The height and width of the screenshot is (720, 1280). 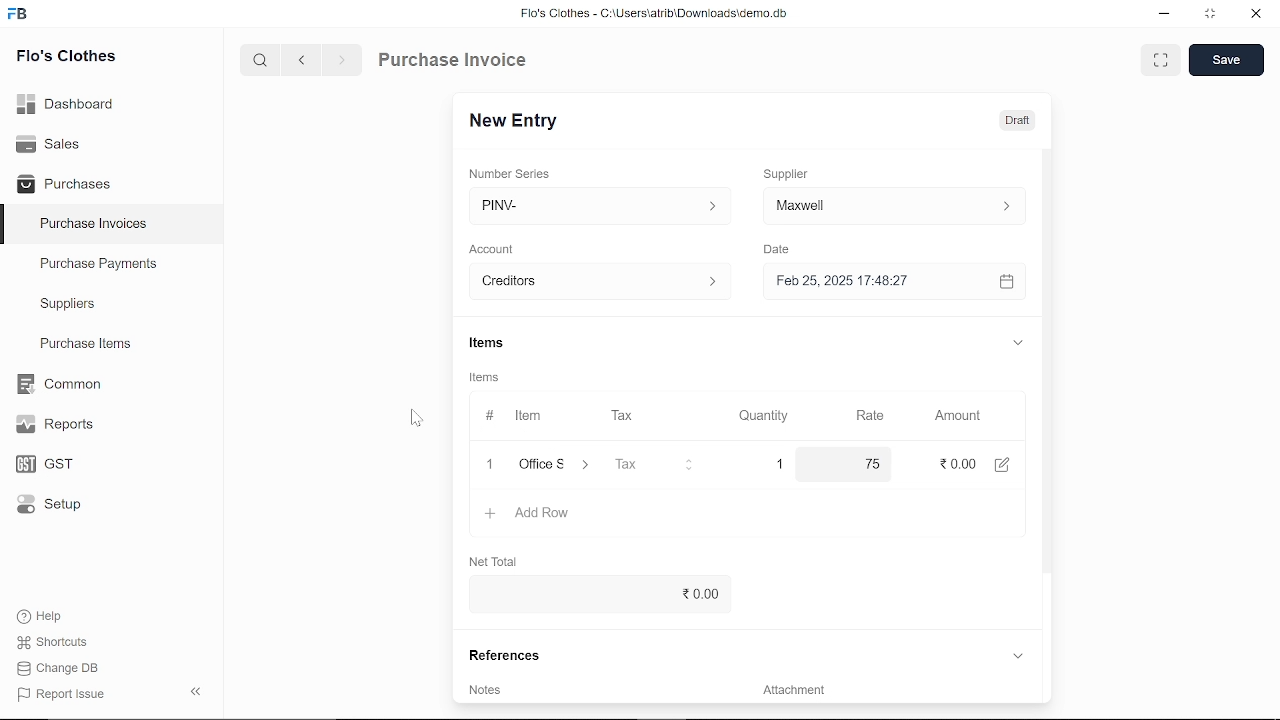 I want to click on Shortcuts, so click(x=49, y=643).